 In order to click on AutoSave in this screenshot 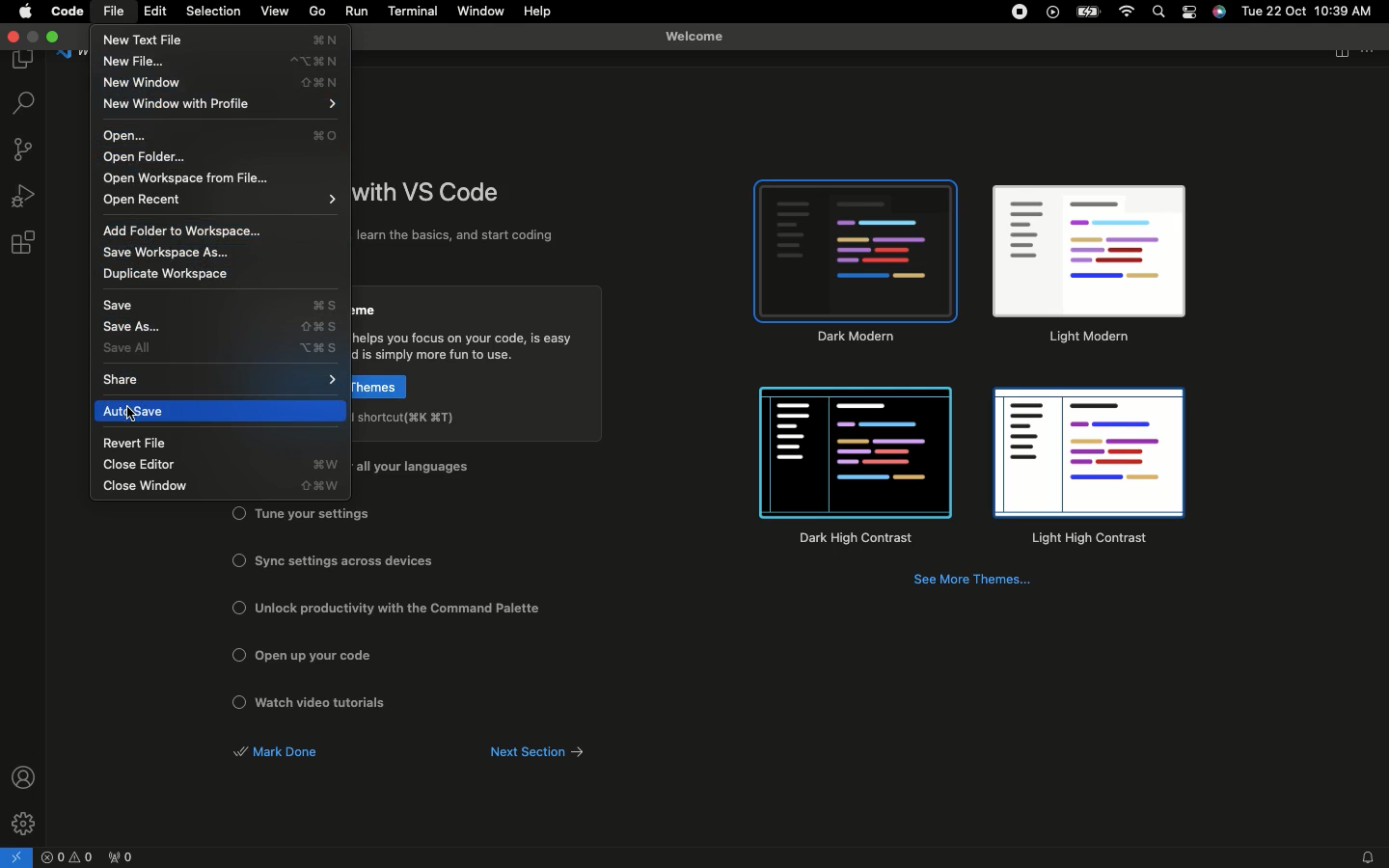, I will do `click(225, 411)`.